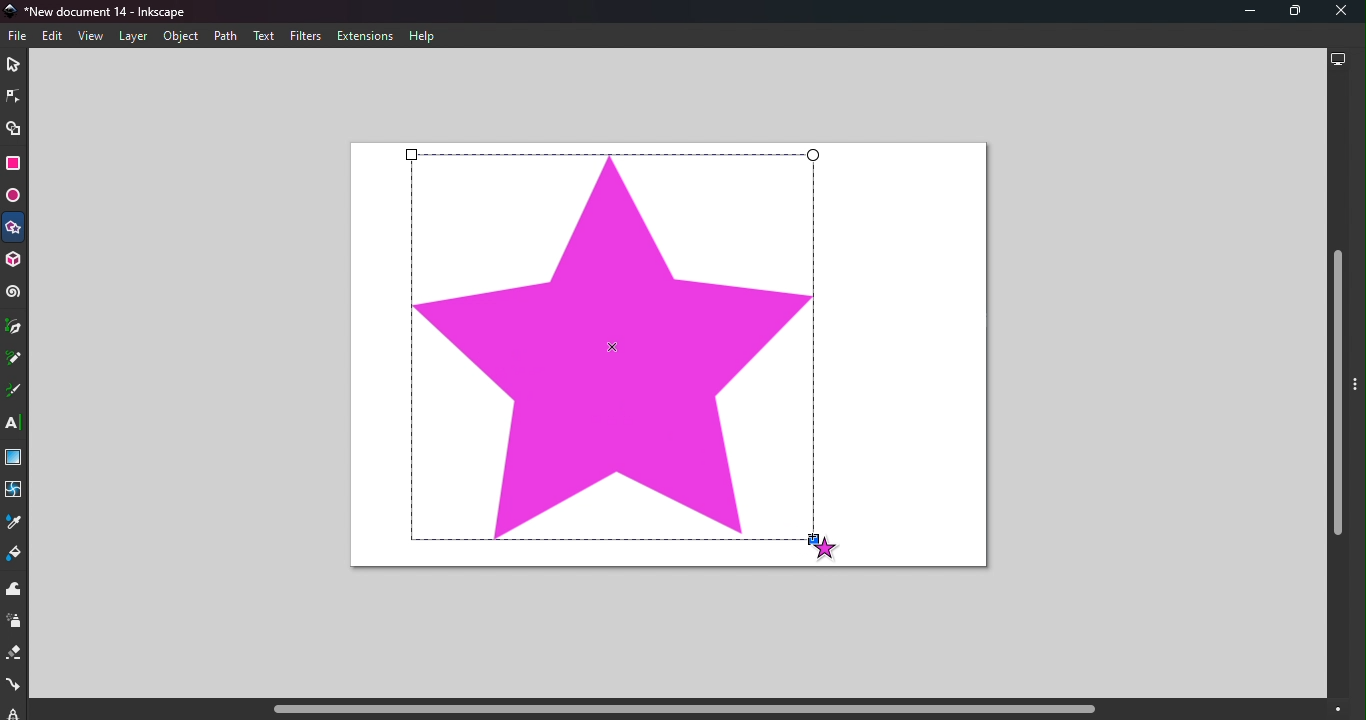  Describe the element at coordinates (264, 36) in the screenshot. I see `Text` at that location.